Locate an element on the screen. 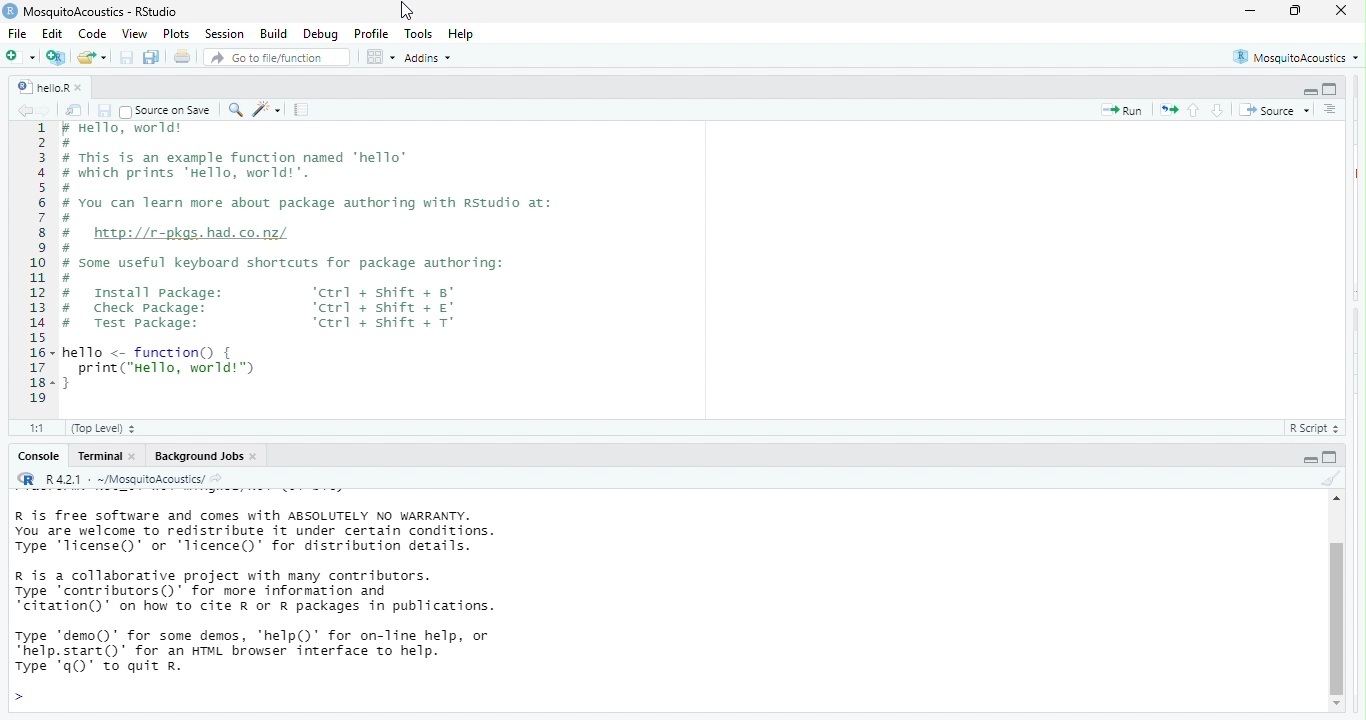 The height and width of the screenshot is (720, 1366). source is located at coordinates (1274, 108).